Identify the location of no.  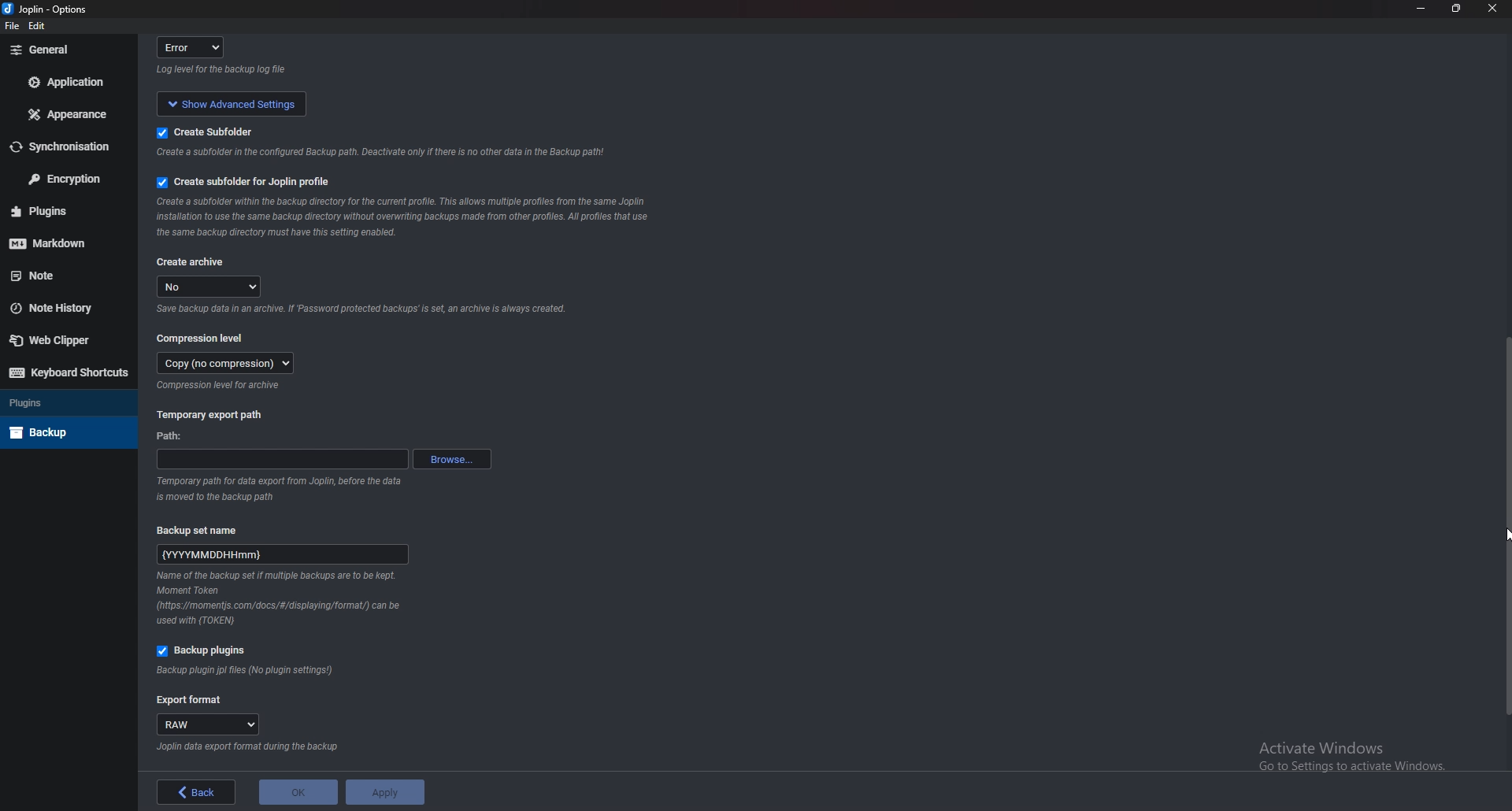
(211, 287).